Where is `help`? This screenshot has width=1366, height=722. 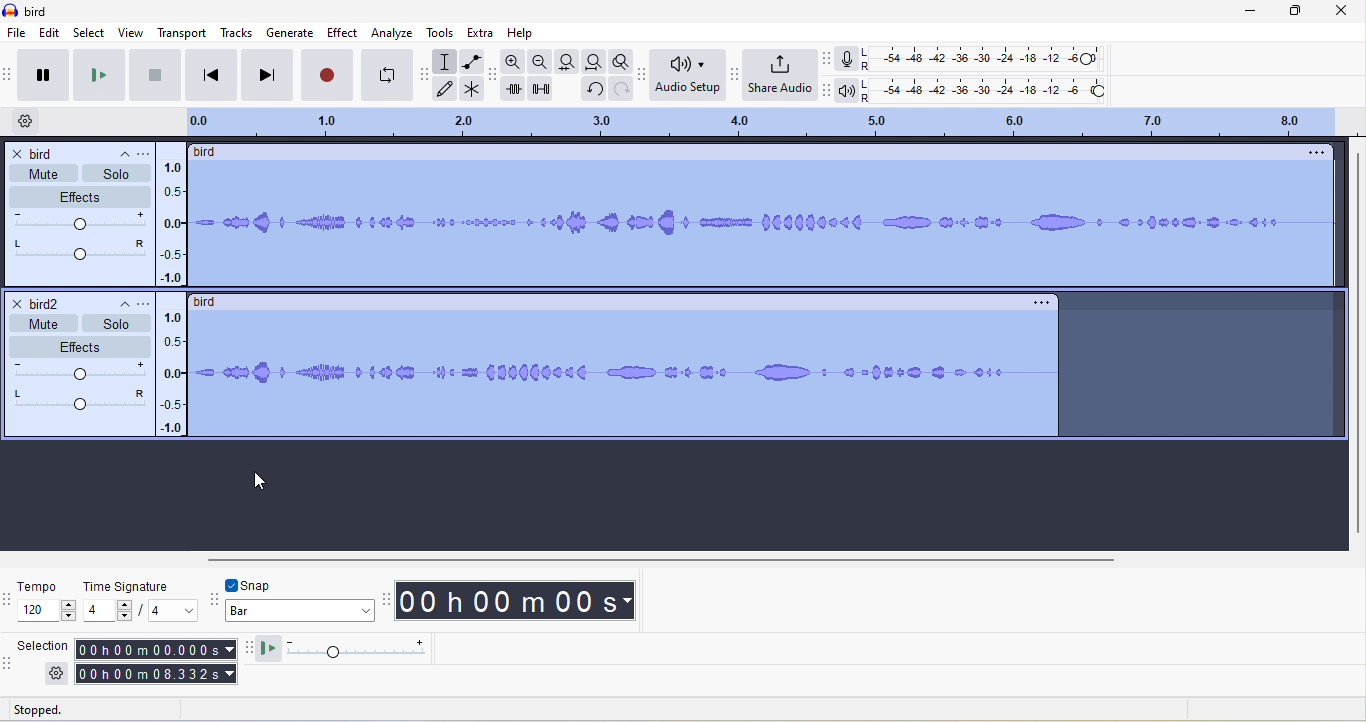
help is located at coordinates (526, 31).